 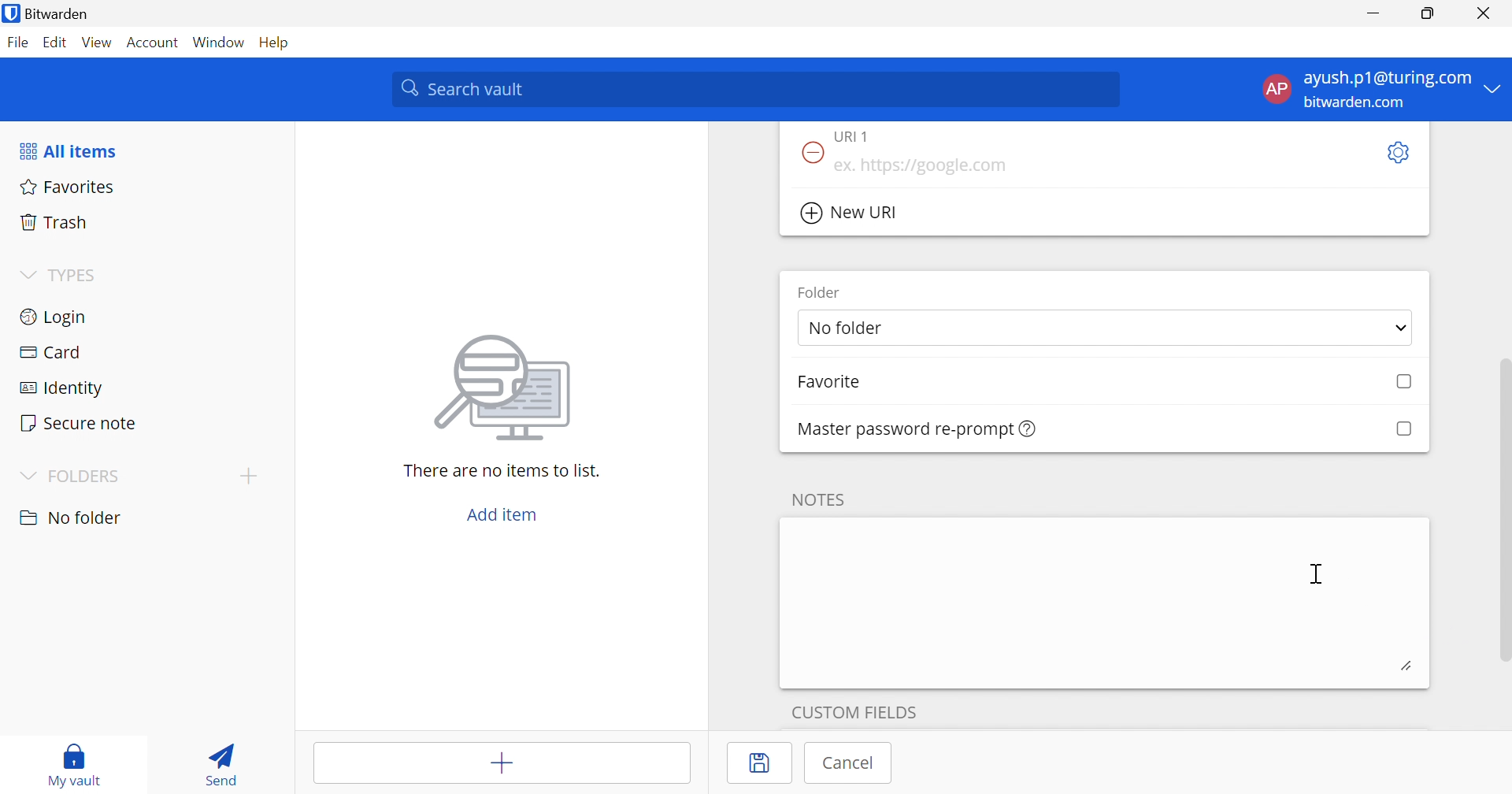 I want to click on Card, so click(x=50, y=352).